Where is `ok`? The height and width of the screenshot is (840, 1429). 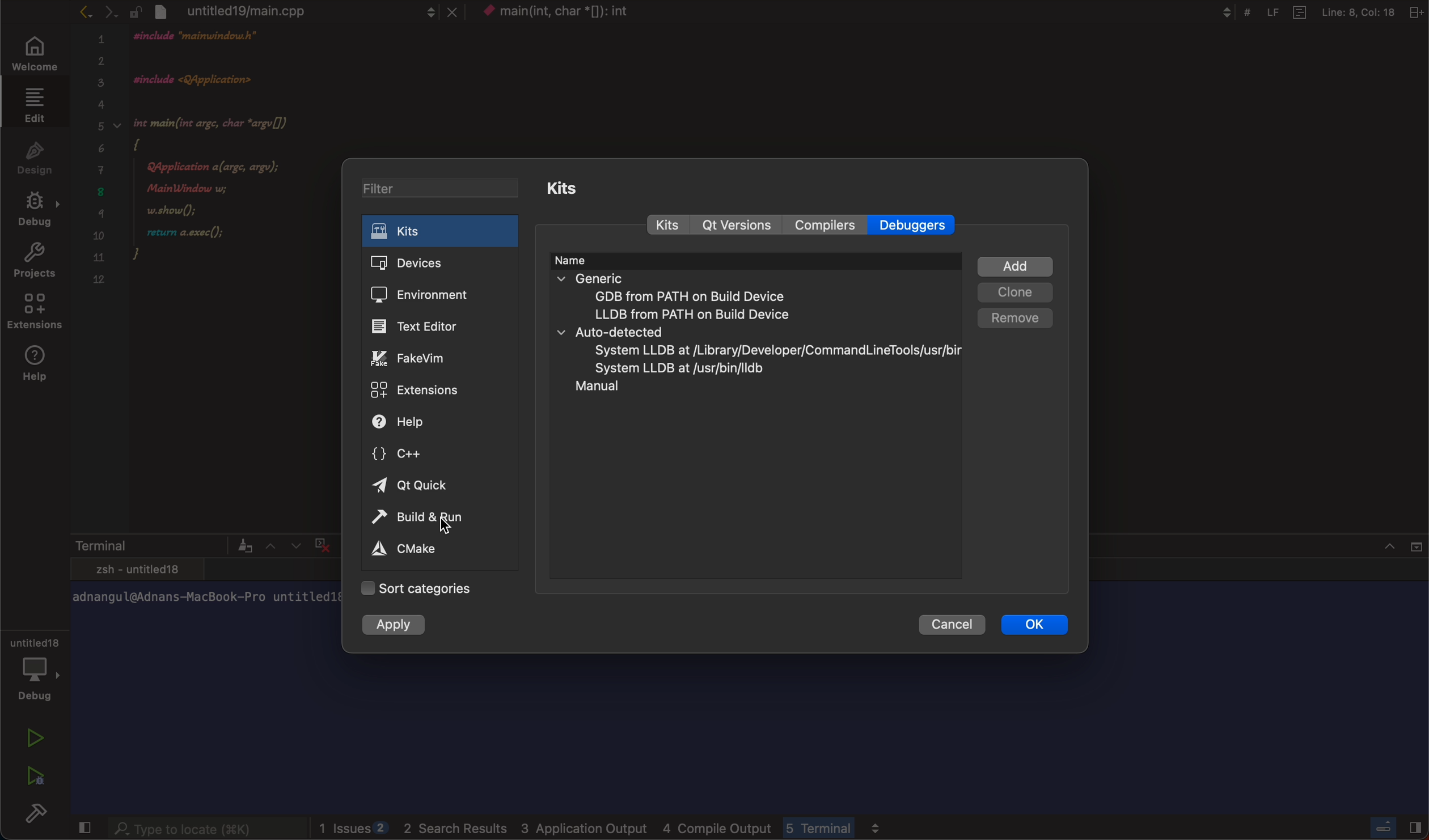 ok is located at coordinates (1034, 625).